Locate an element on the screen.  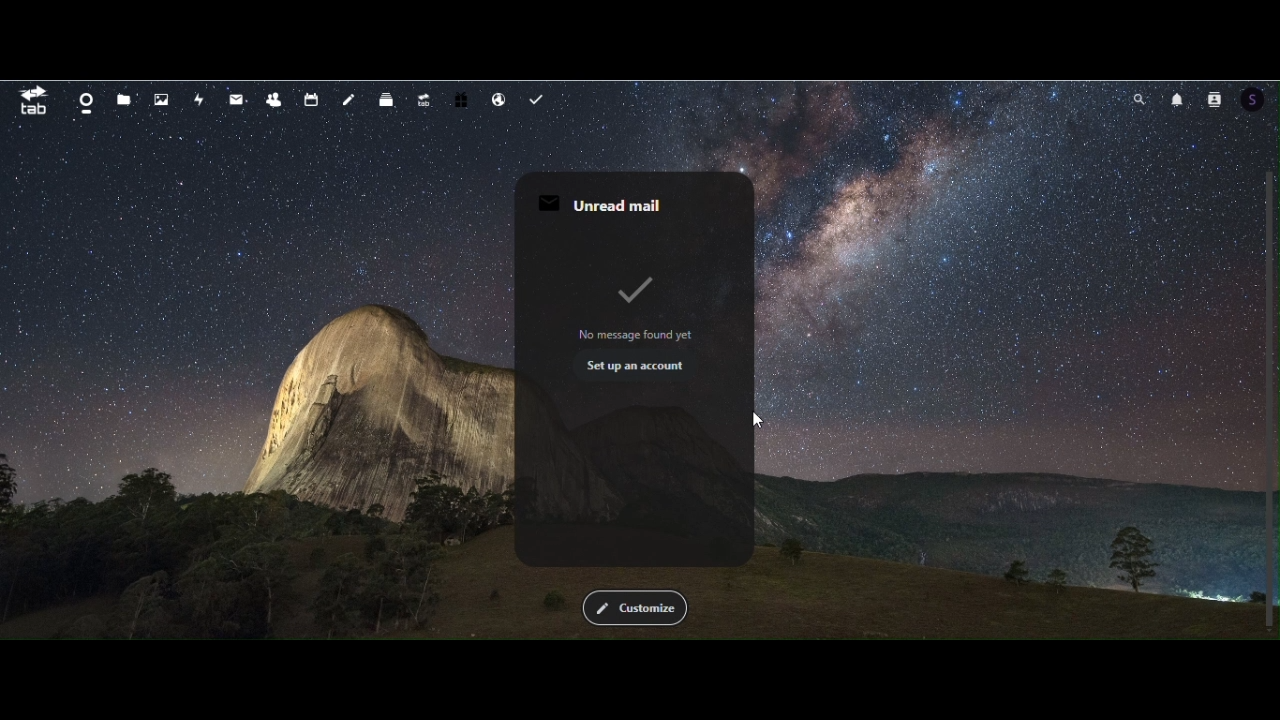
upgrade is located at coordinates (426, 97).